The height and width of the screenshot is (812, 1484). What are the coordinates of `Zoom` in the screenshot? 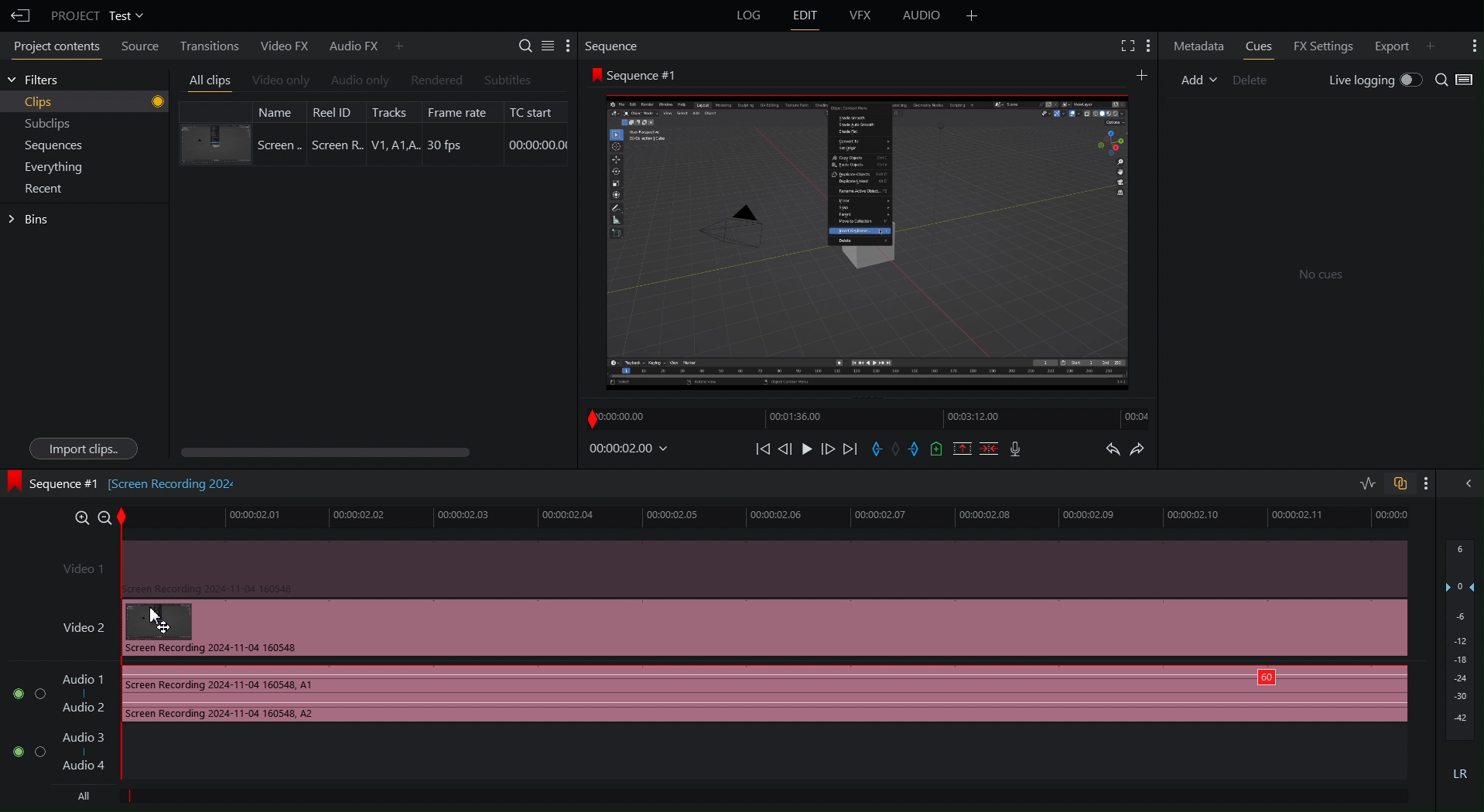 It's located at (92, 517).